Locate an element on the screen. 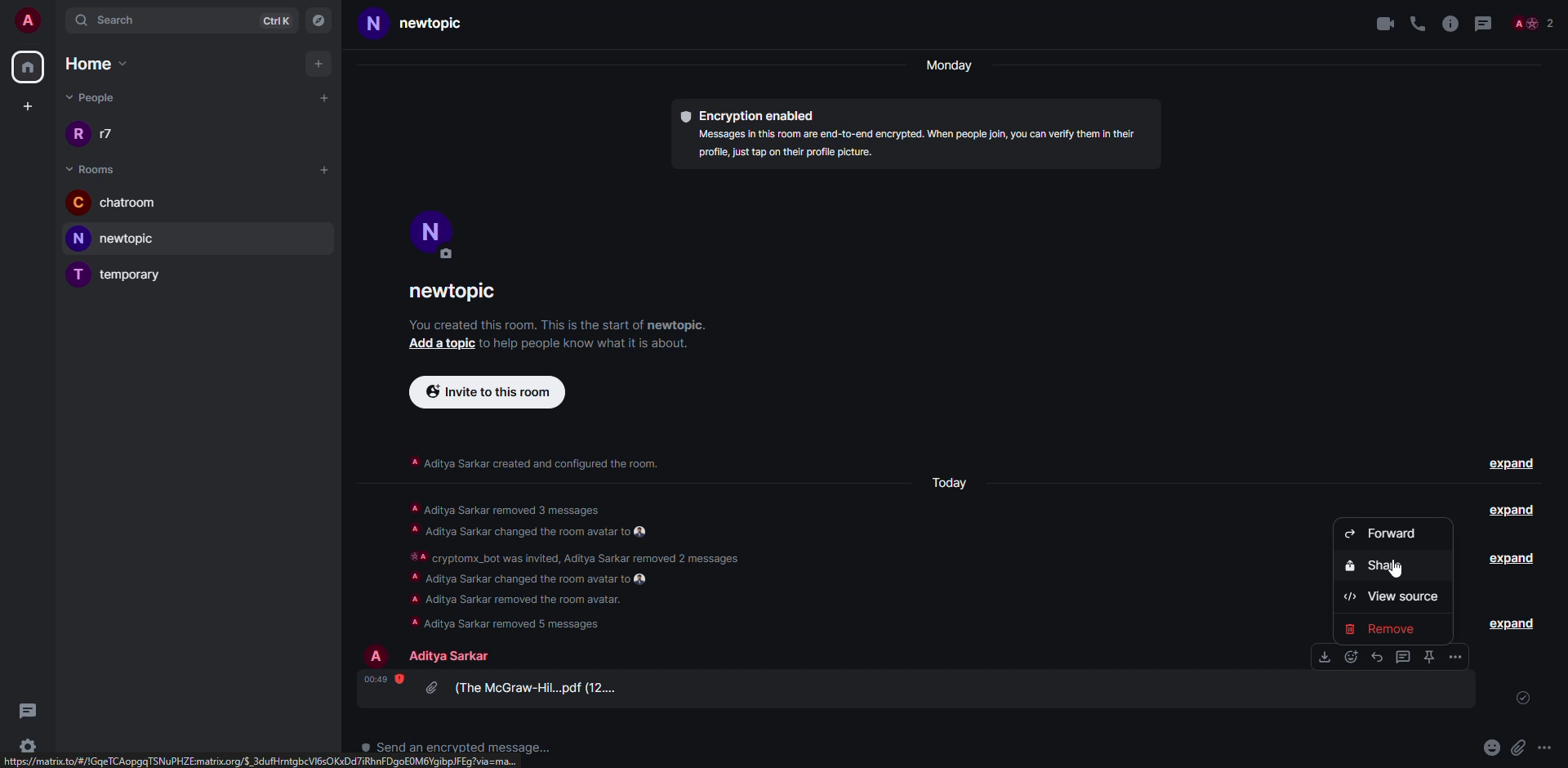 The height and width of the screenshot is (768, 1568). attachment is located at coordinates (528, 687).